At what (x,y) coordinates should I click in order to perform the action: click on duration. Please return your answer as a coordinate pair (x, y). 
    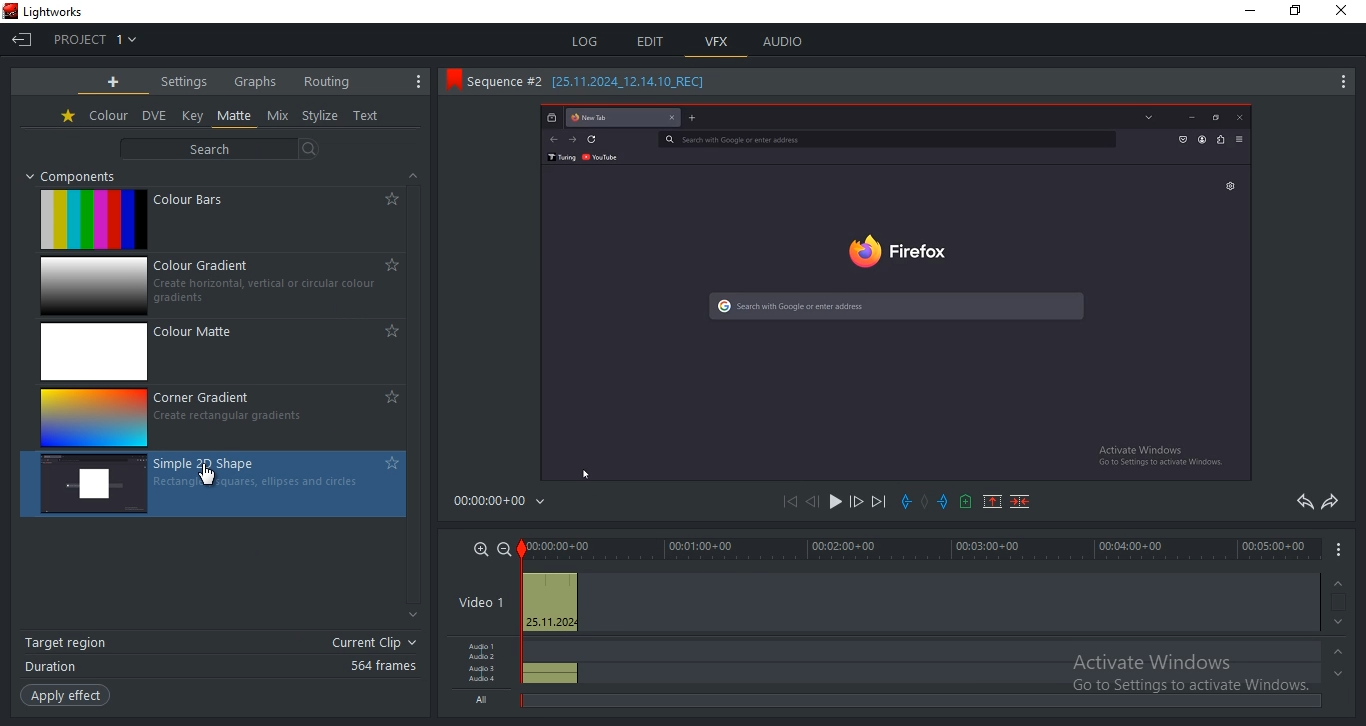
    Looking at the image, I should click on (221, 666).